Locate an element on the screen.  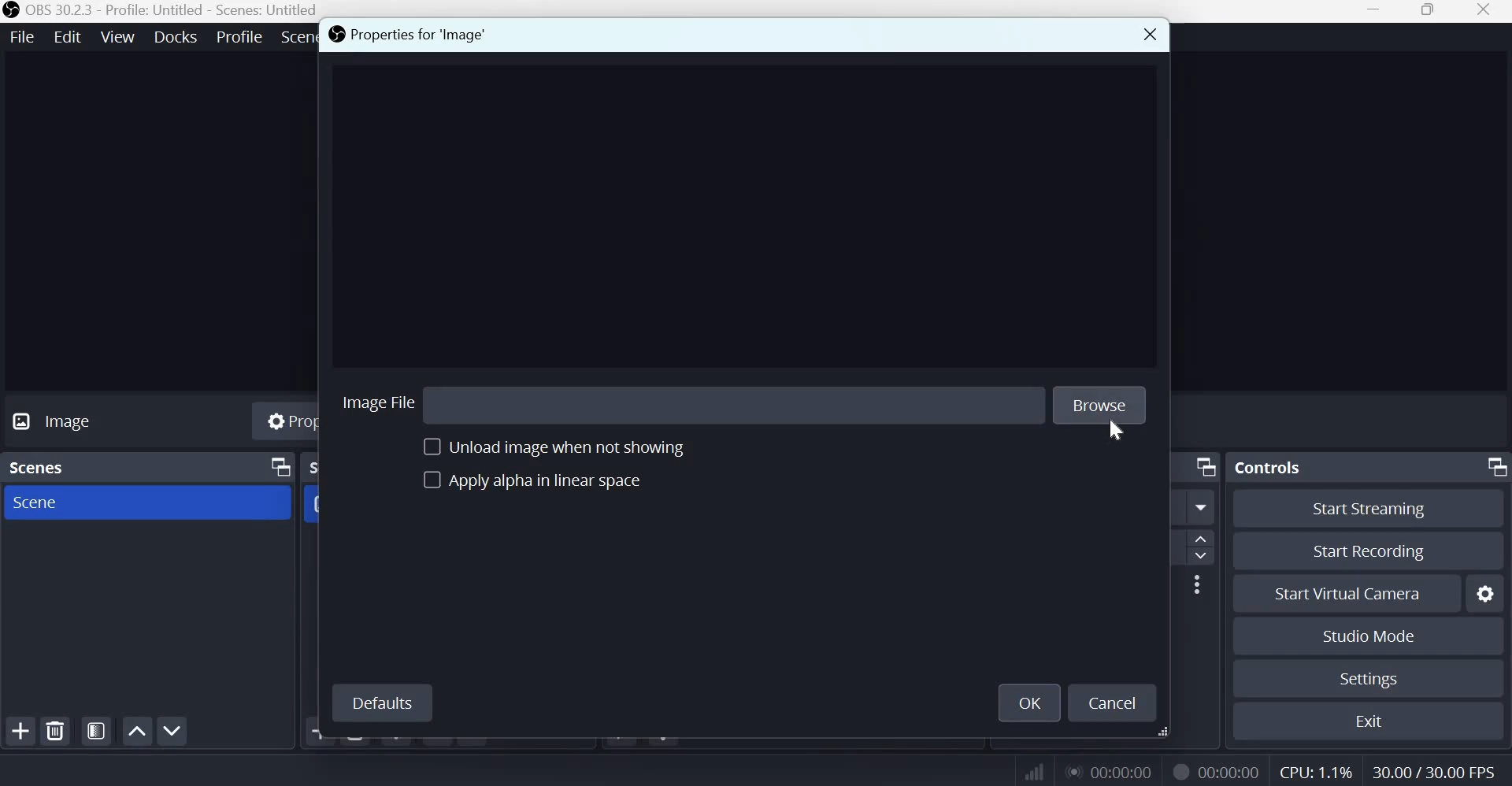
Cursor is located at coordinates (1116, 432).